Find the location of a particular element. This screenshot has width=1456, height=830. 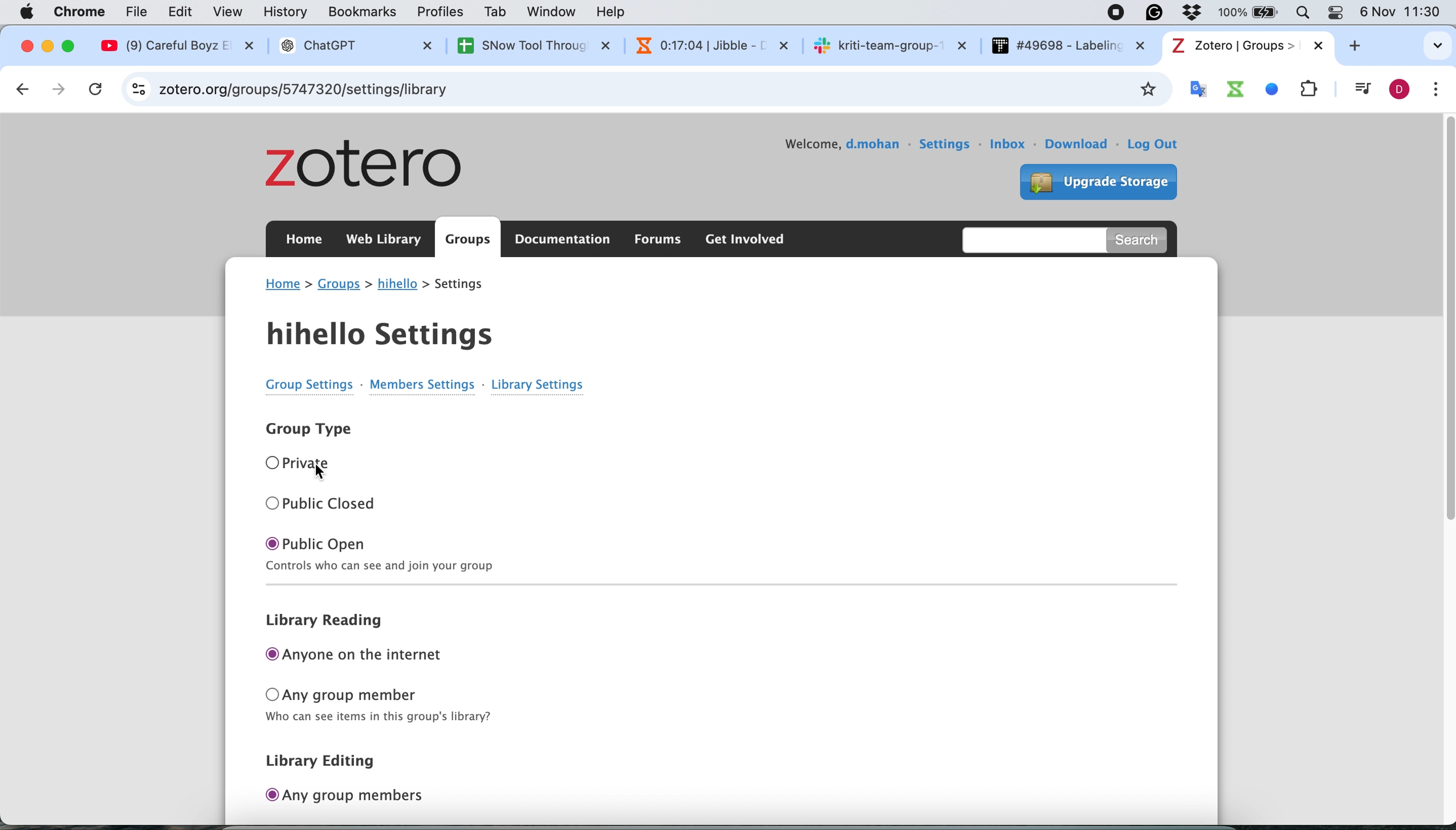

log out is located at coordinates (1160, 146).